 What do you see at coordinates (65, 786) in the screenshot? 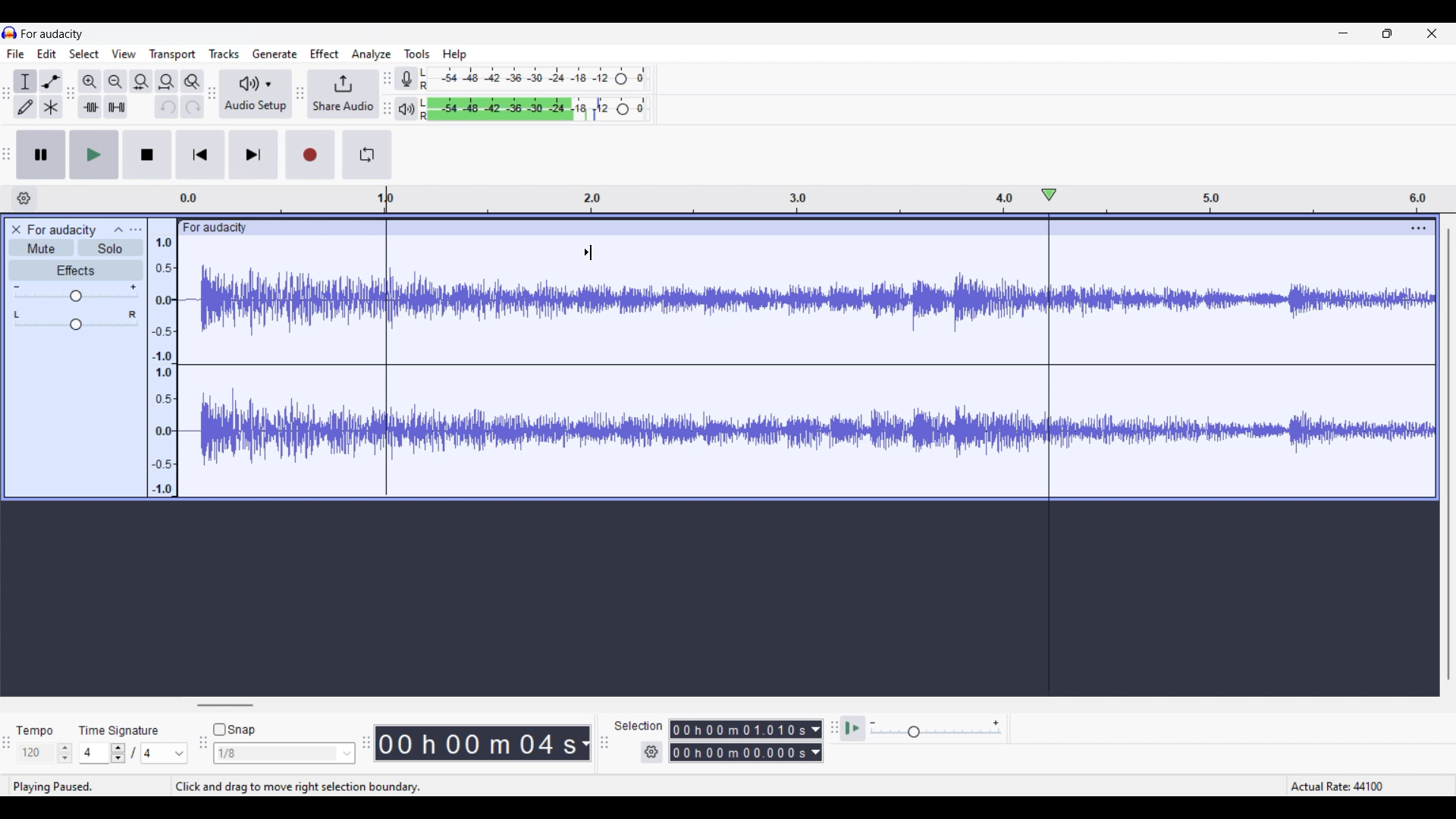
I see `playing paused` at bounding box center [65, 786].